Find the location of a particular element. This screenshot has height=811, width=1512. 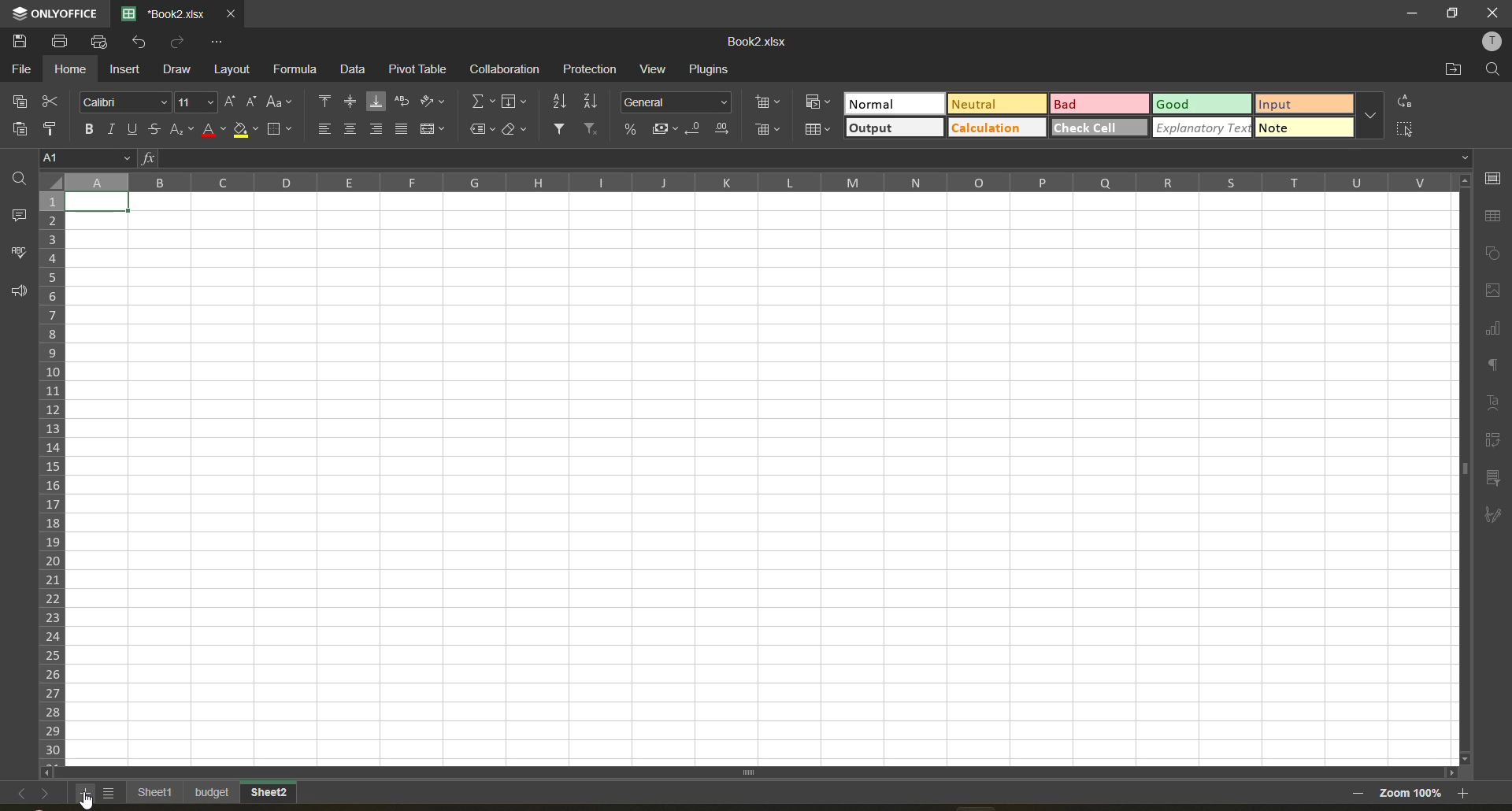

zoom out is located at coordinates (1356, 793).